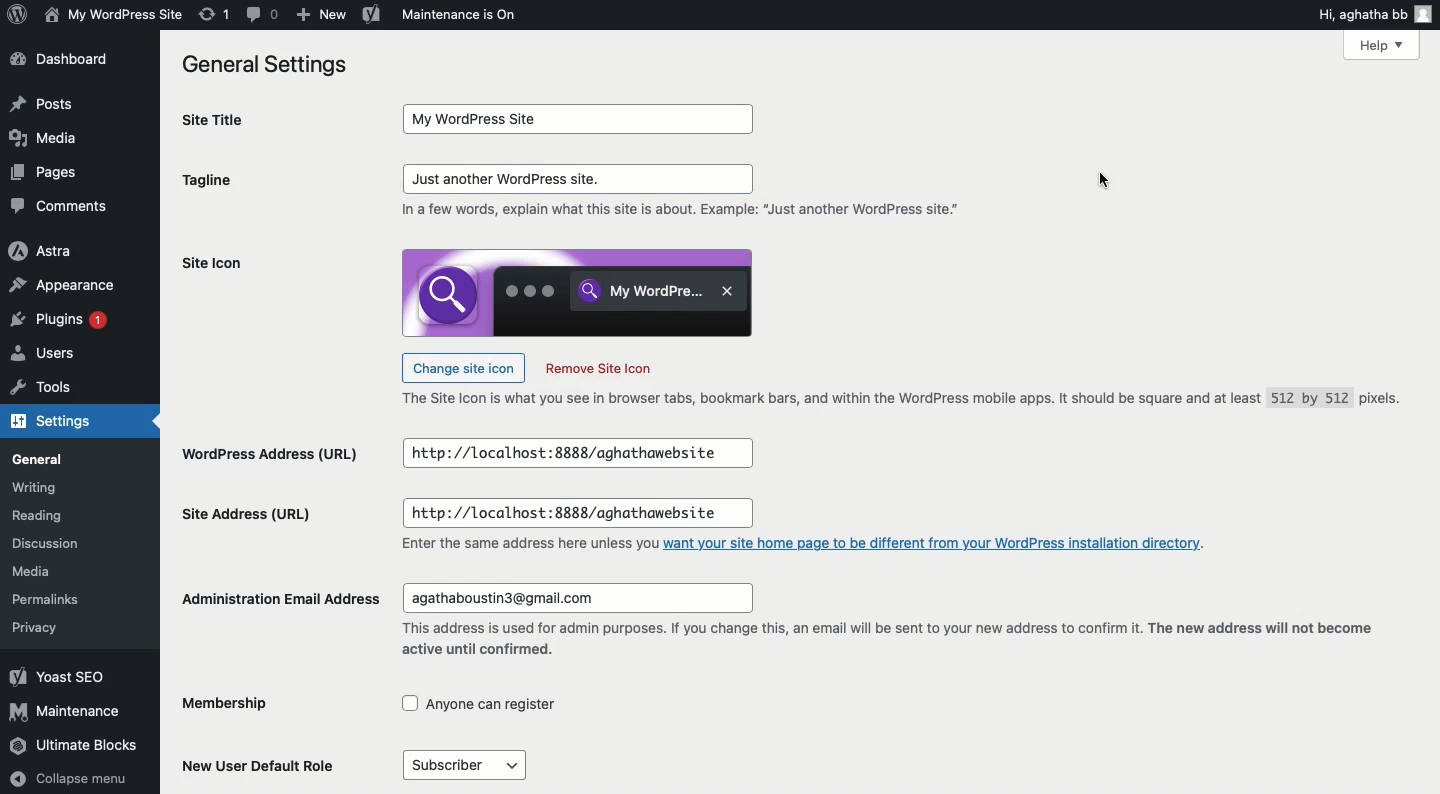 The width and height of the screenshot is (1440, 794). What do you see at coordinates (43, 137) in the screenshot?
I see `Media` at bounding box center [43, 137].